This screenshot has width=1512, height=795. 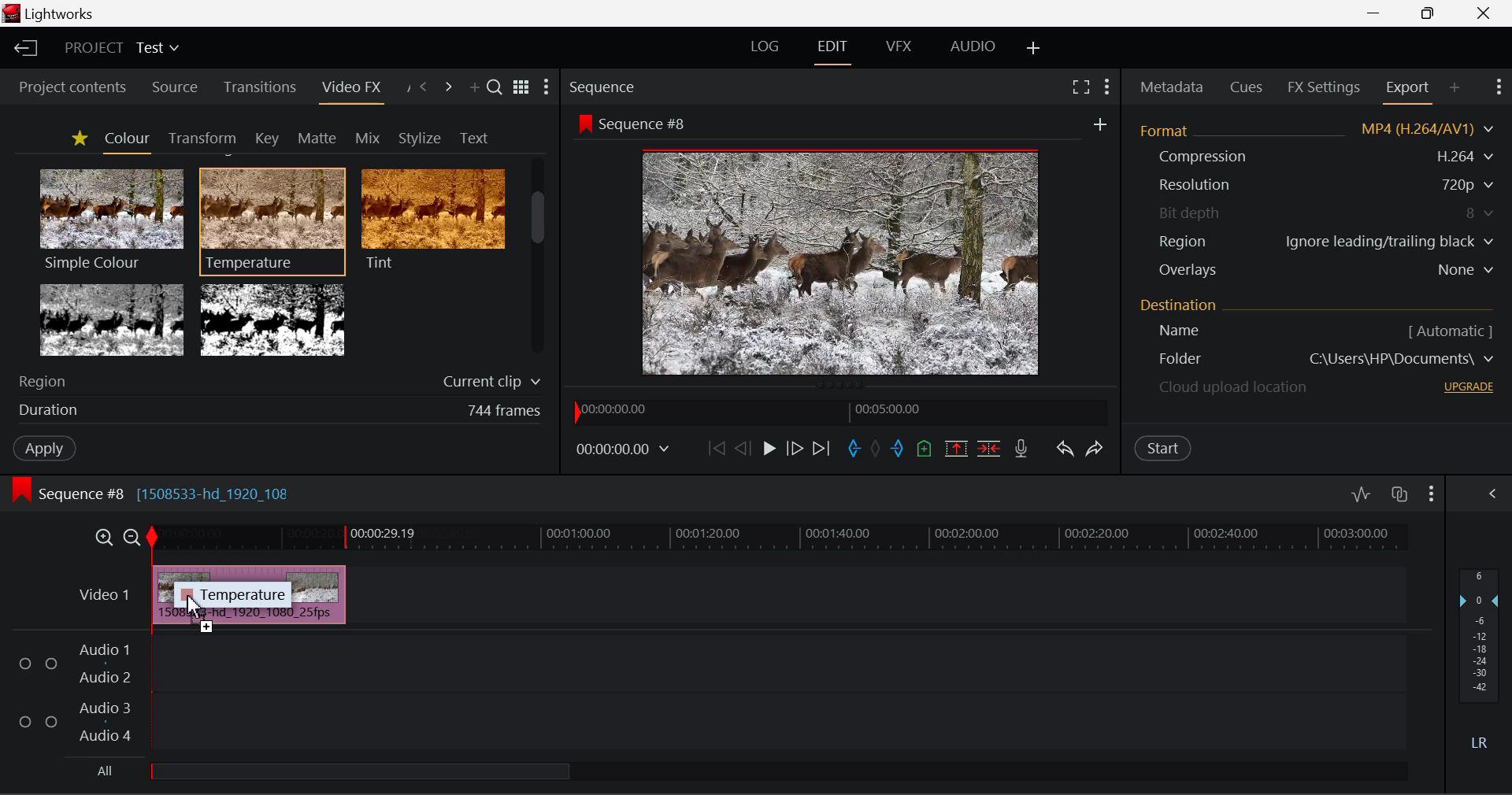 I want to click on Metadata, so click(x=1170, y=87).